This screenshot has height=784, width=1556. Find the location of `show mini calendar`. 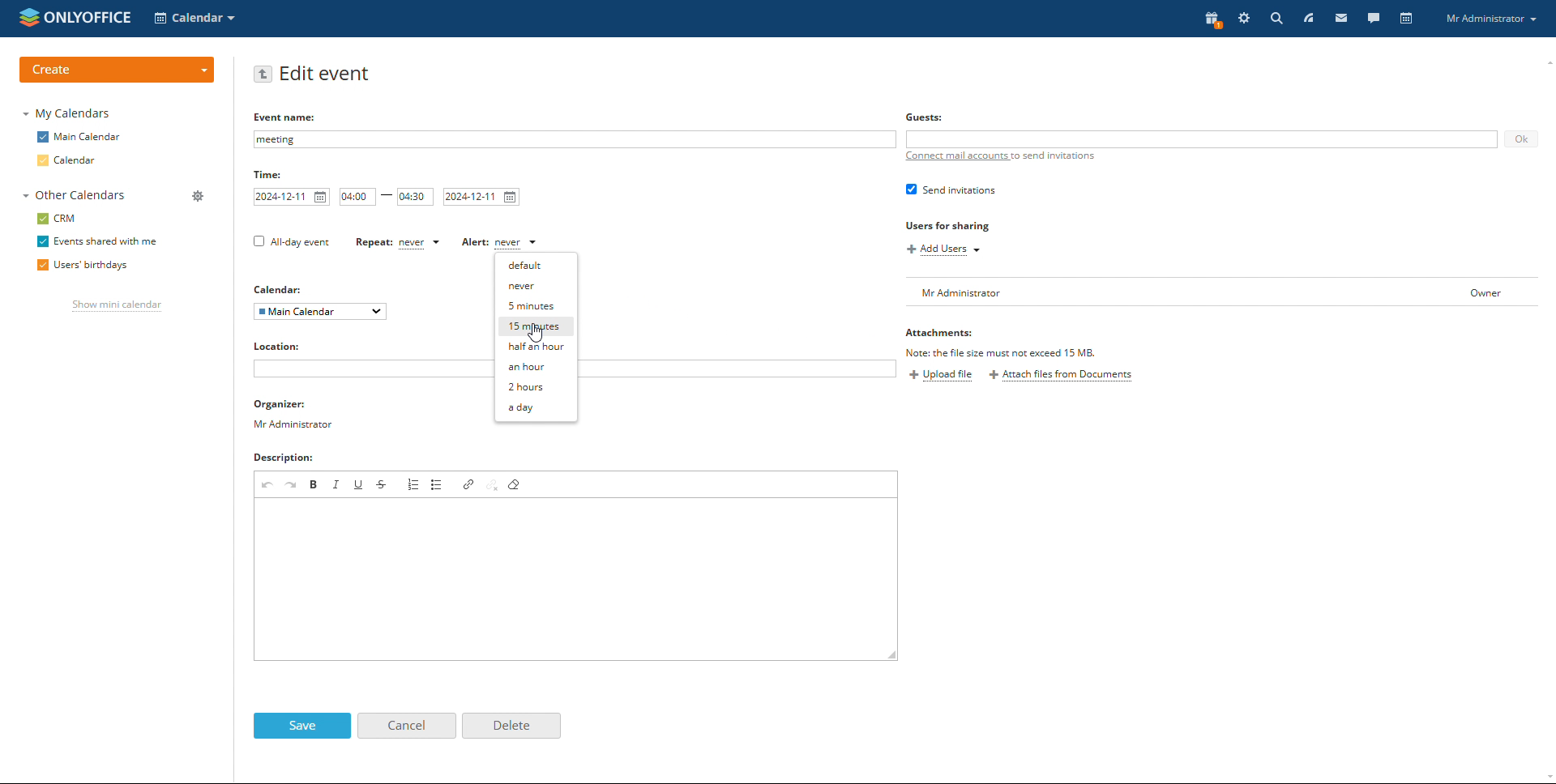

show mini calendar is located at coordinates (118, 306).